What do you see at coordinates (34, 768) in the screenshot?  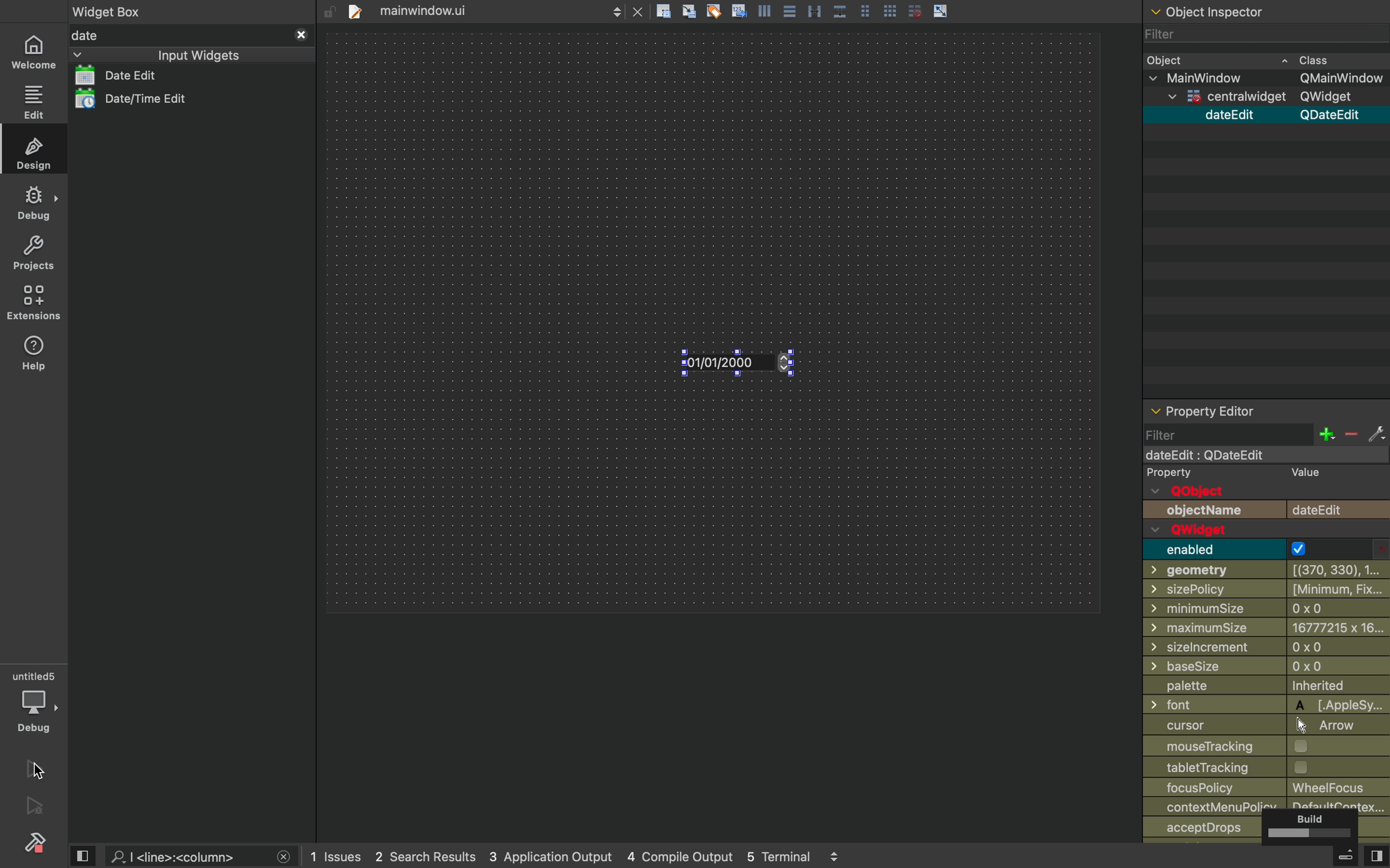 I see `run` at bounding box center [34, 768].